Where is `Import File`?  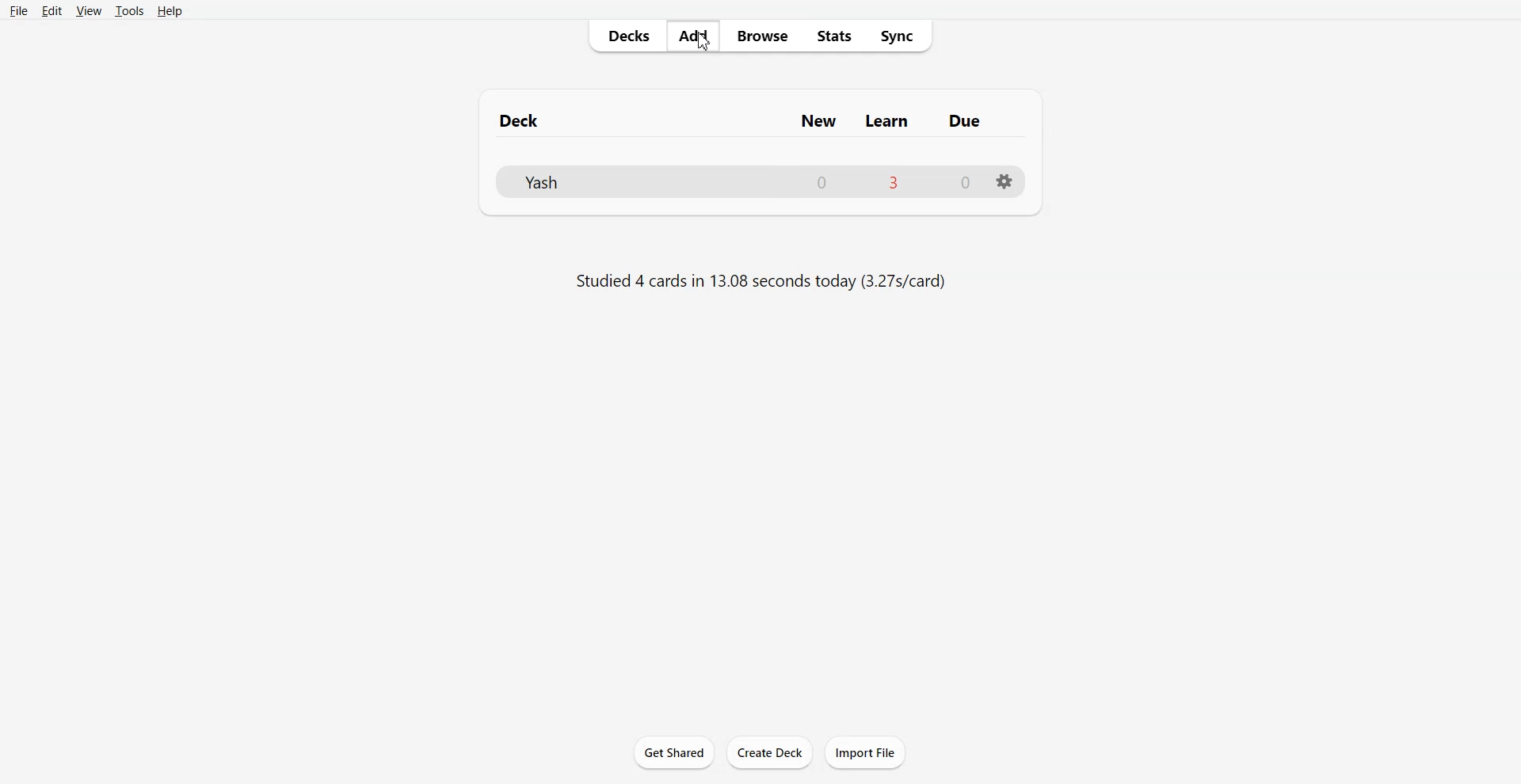 Import File is located at coordinates (864, 753).